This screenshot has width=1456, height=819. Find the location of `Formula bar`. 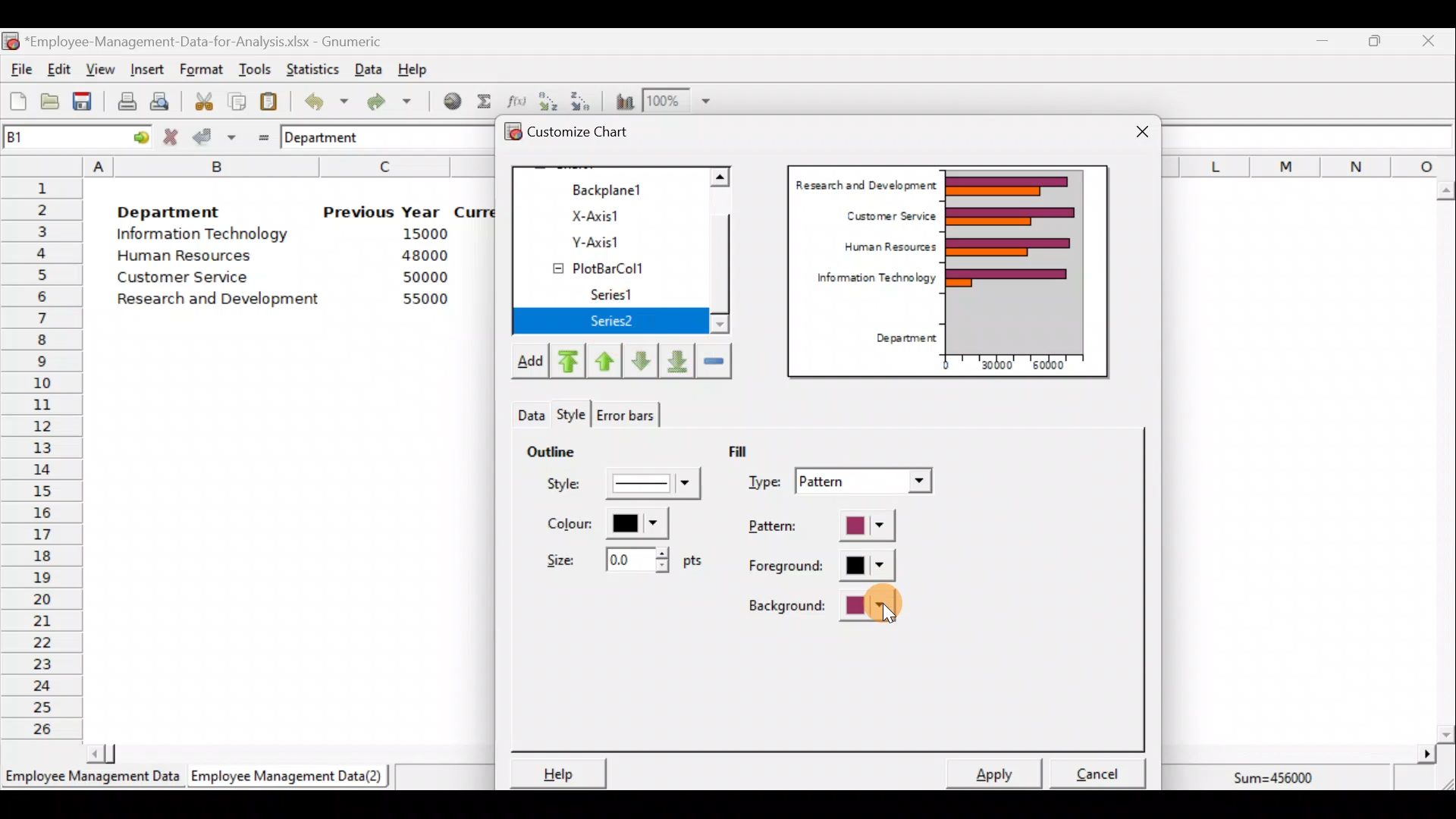

Formula bar is located at coordinates (1312, 136).